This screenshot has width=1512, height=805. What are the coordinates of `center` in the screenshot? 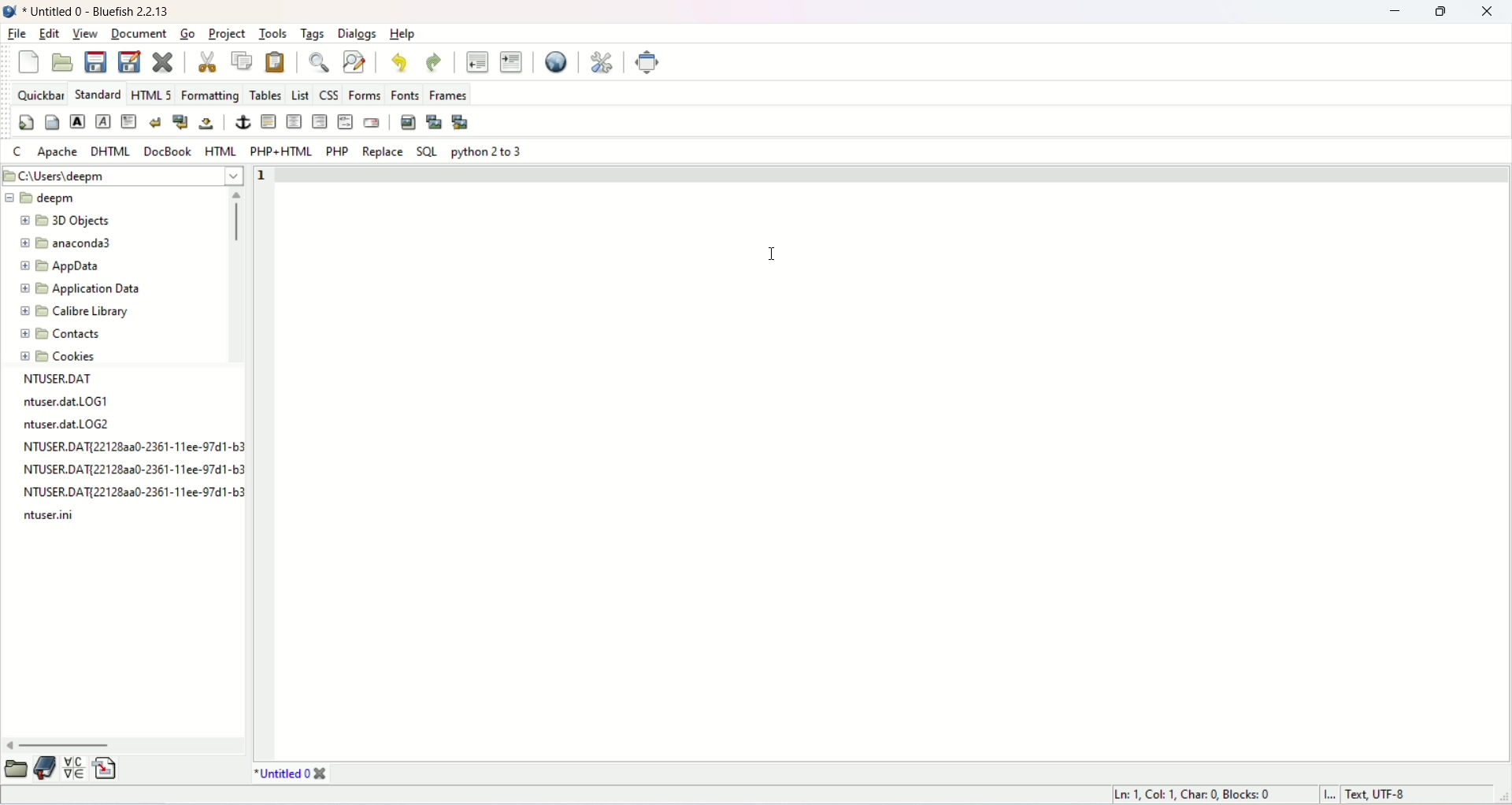 It's located at (293, 124).